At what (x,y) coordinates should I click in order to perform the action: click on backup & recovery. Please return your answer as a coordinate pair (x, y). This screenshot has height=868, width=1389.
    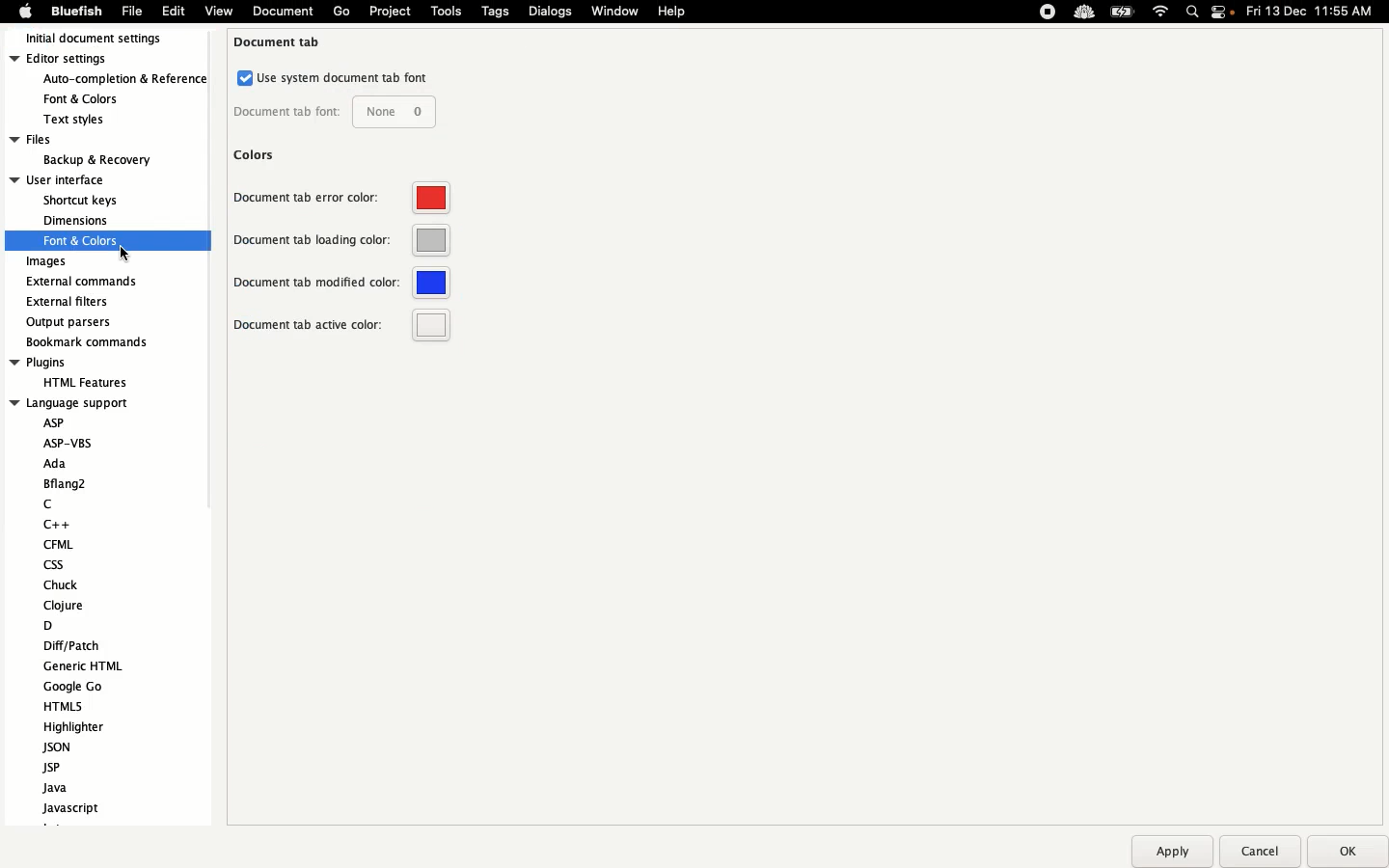
    Looking at the image, I should click on (95, 160).